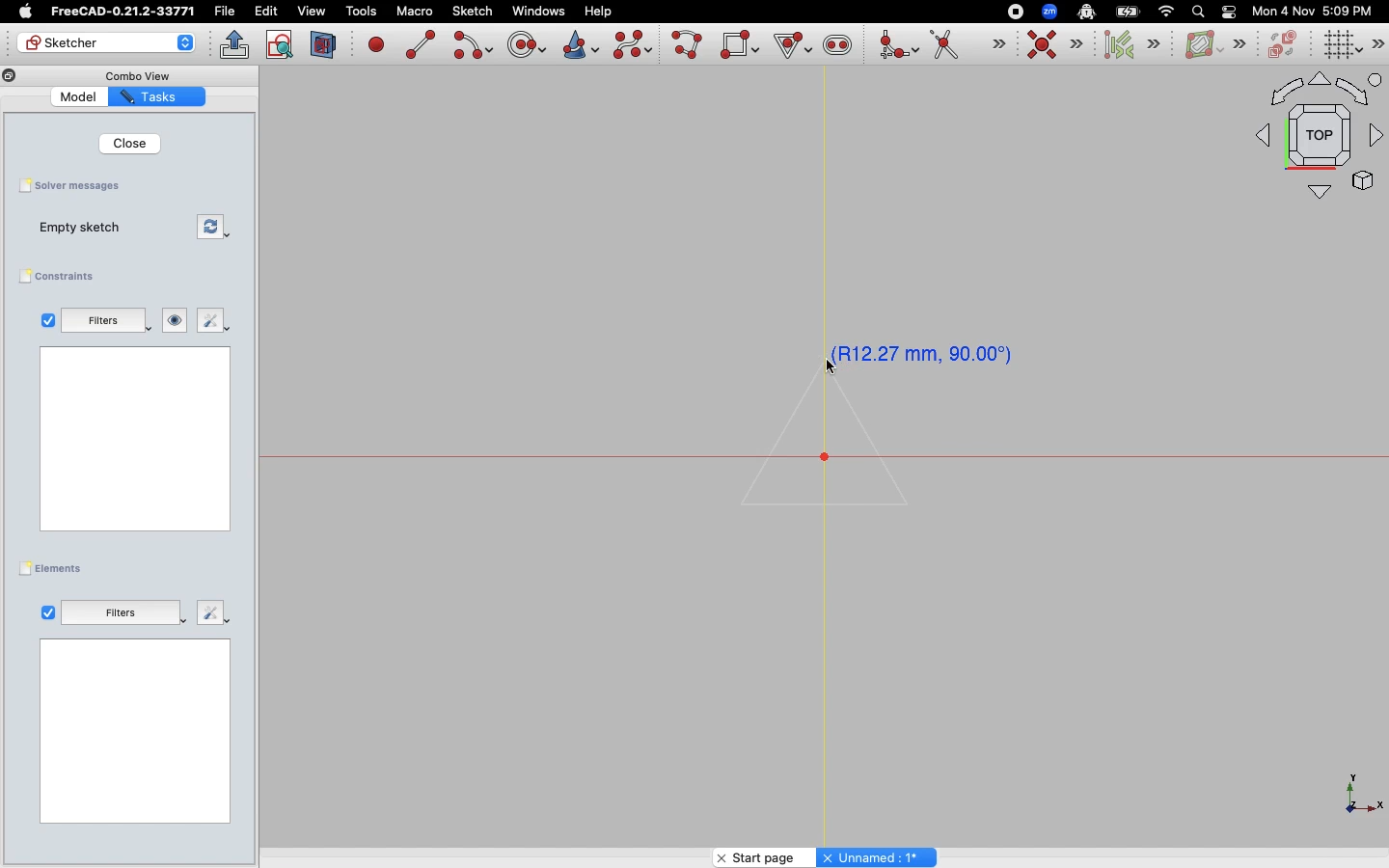 The image size is (1389, 868). Describe the element at coordinates (413, 12) in the screenshot. I see `Macro` at that location.